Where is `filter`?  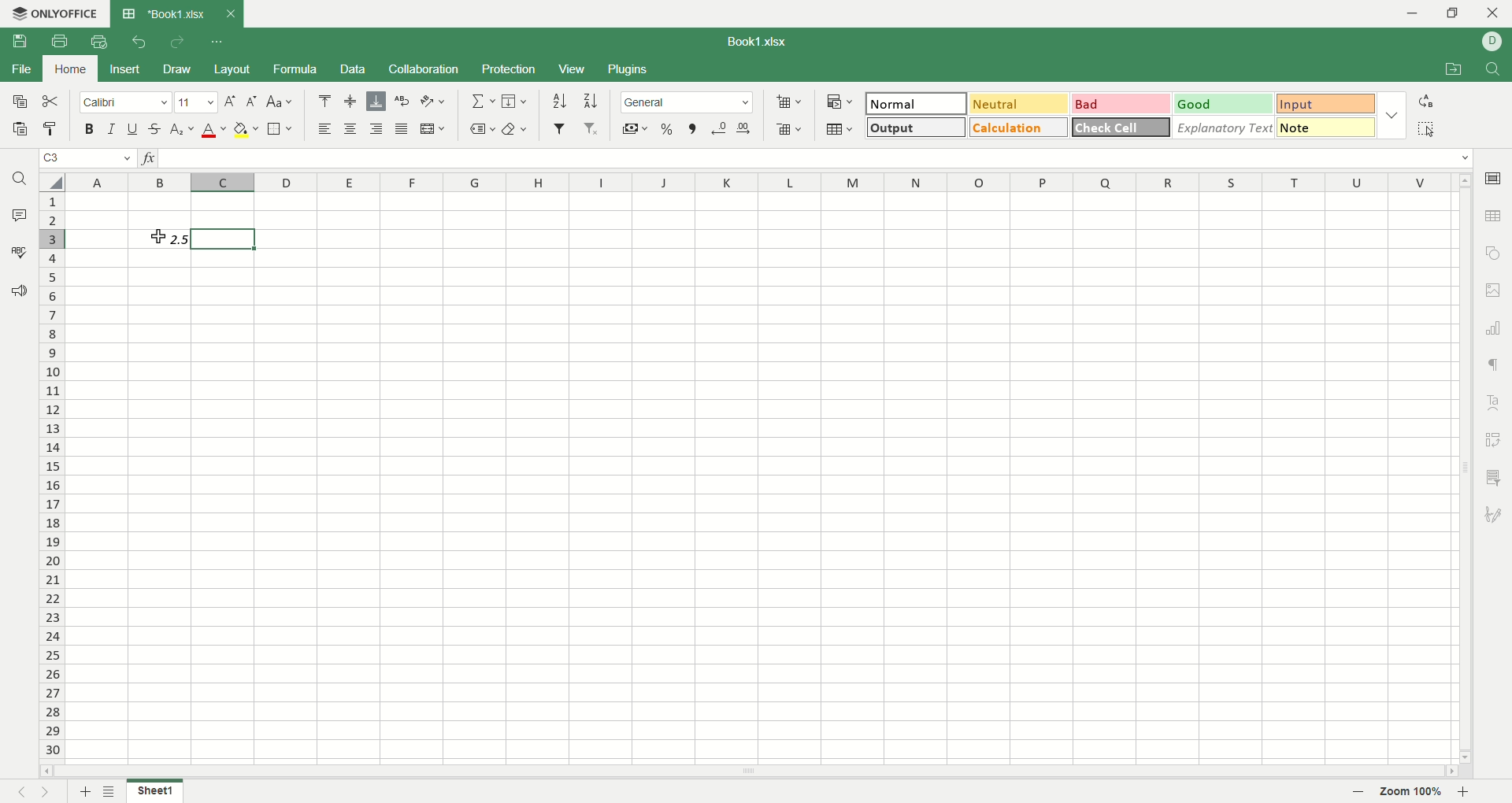
filter is located at coordinates (561, 128).